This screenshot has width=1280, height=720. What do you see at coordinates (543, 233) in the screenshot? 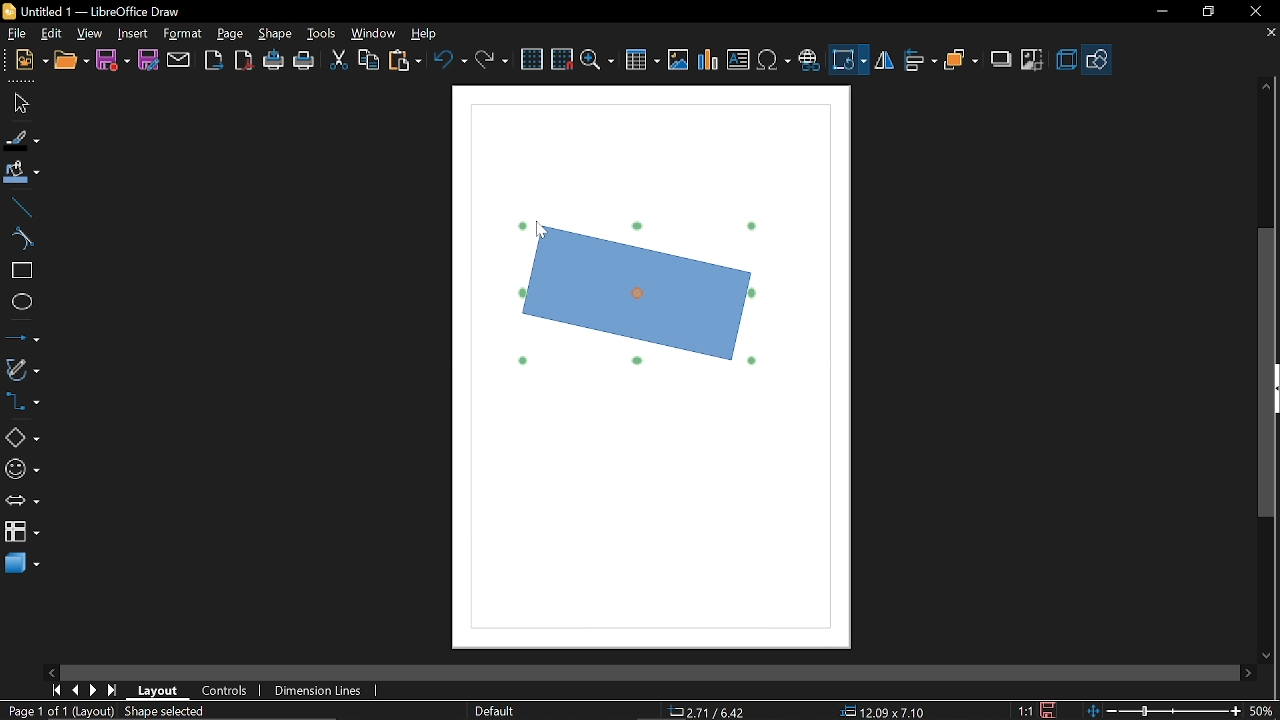
I see `Cursor` at bounding box center [543, 233].